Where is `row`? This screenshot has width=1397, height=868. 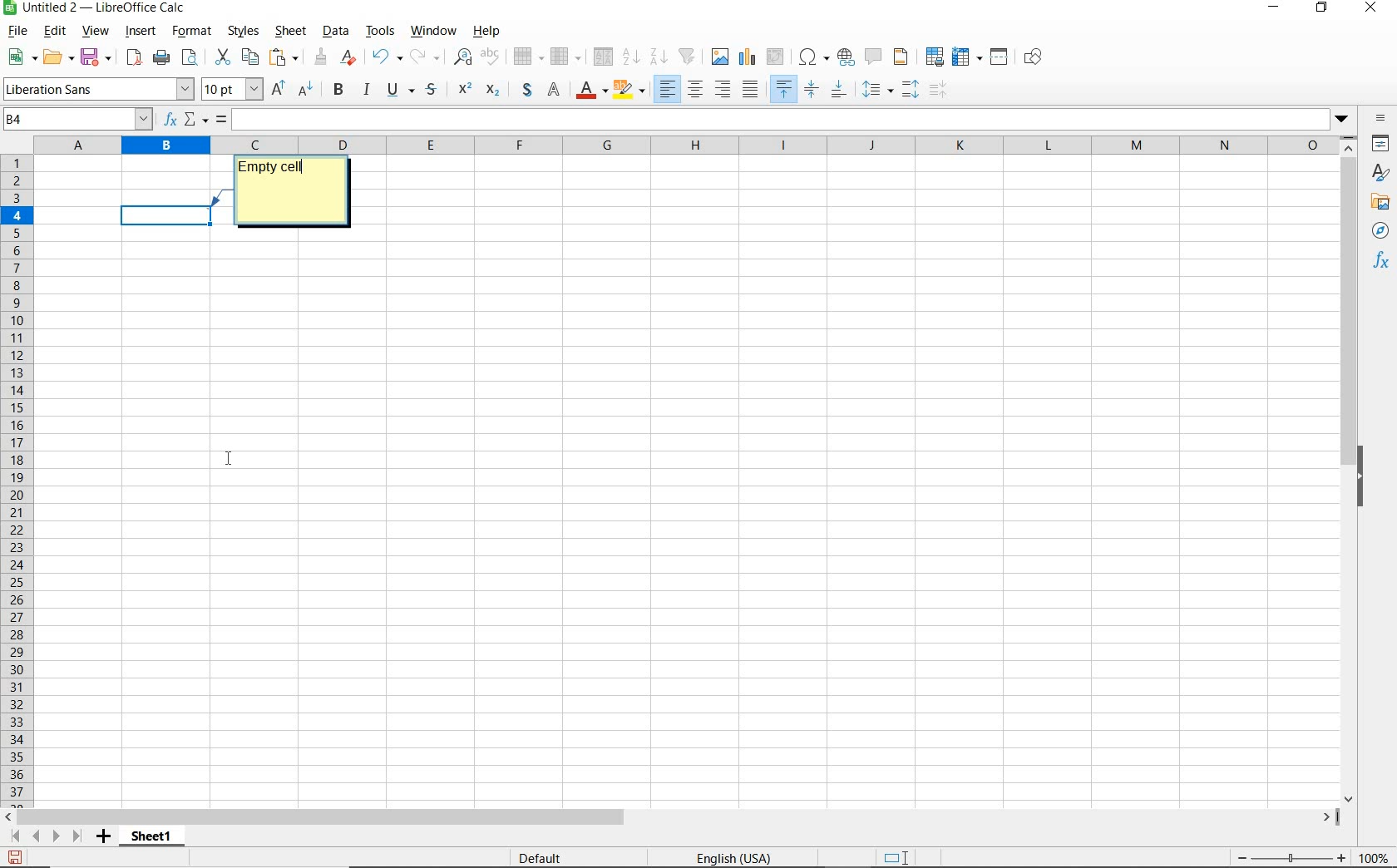 row is located at coordinates (528, 56).